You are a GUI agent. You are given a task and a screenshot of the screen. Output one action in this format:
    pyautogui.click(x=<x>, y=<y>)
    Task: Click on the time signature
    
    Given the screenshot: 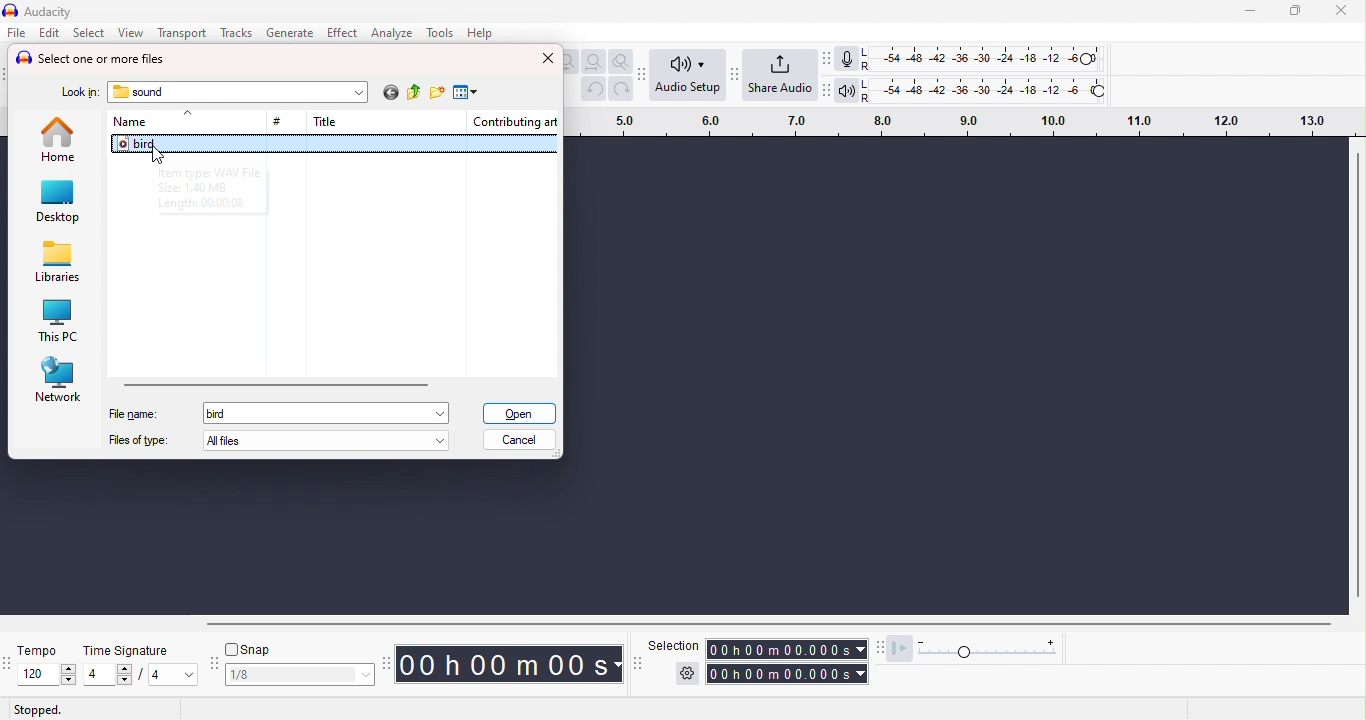 What is the action you would take?
    pyautogui.click(x=131, y=651)
    